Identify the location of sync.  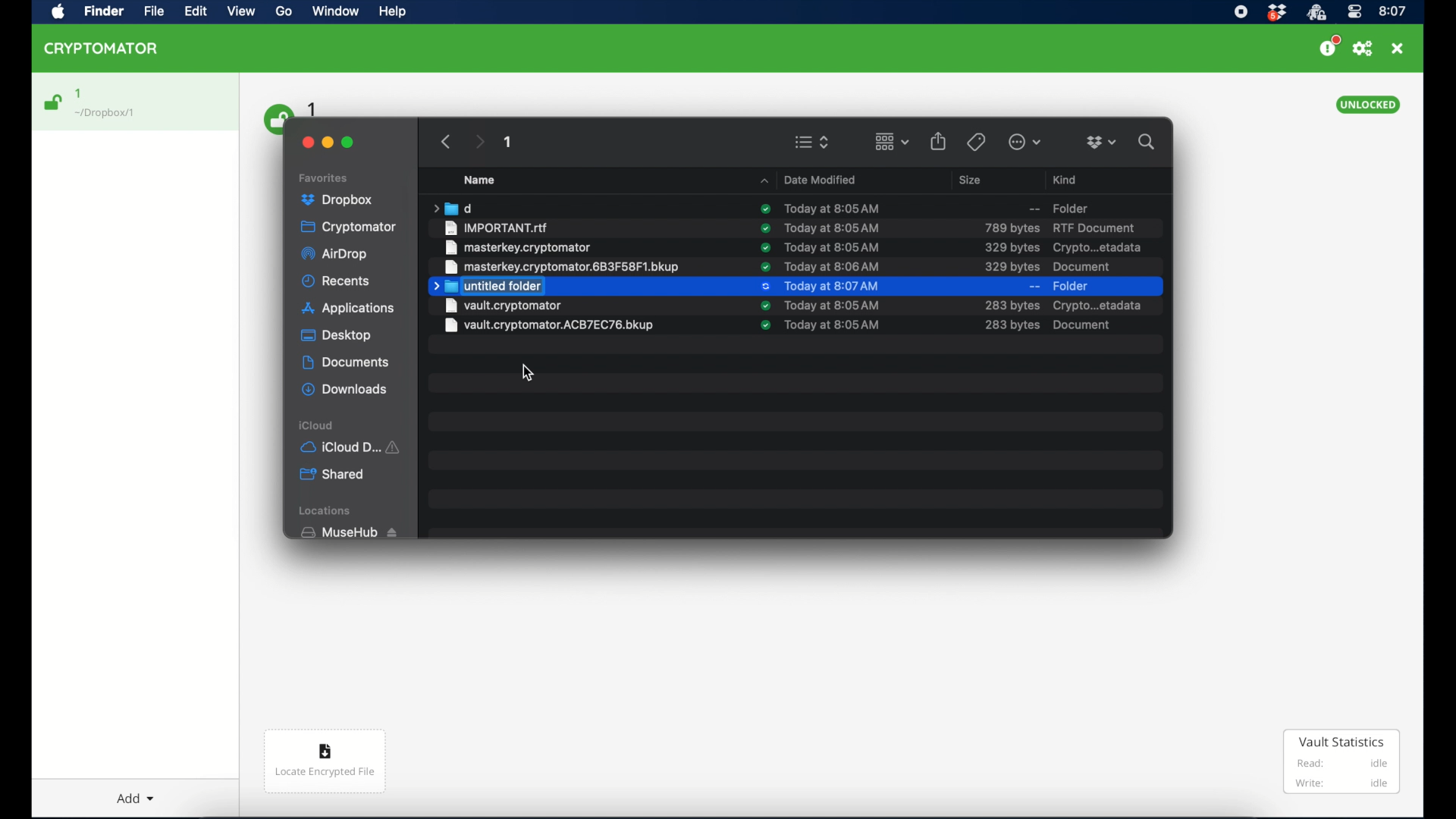
(764, 247).